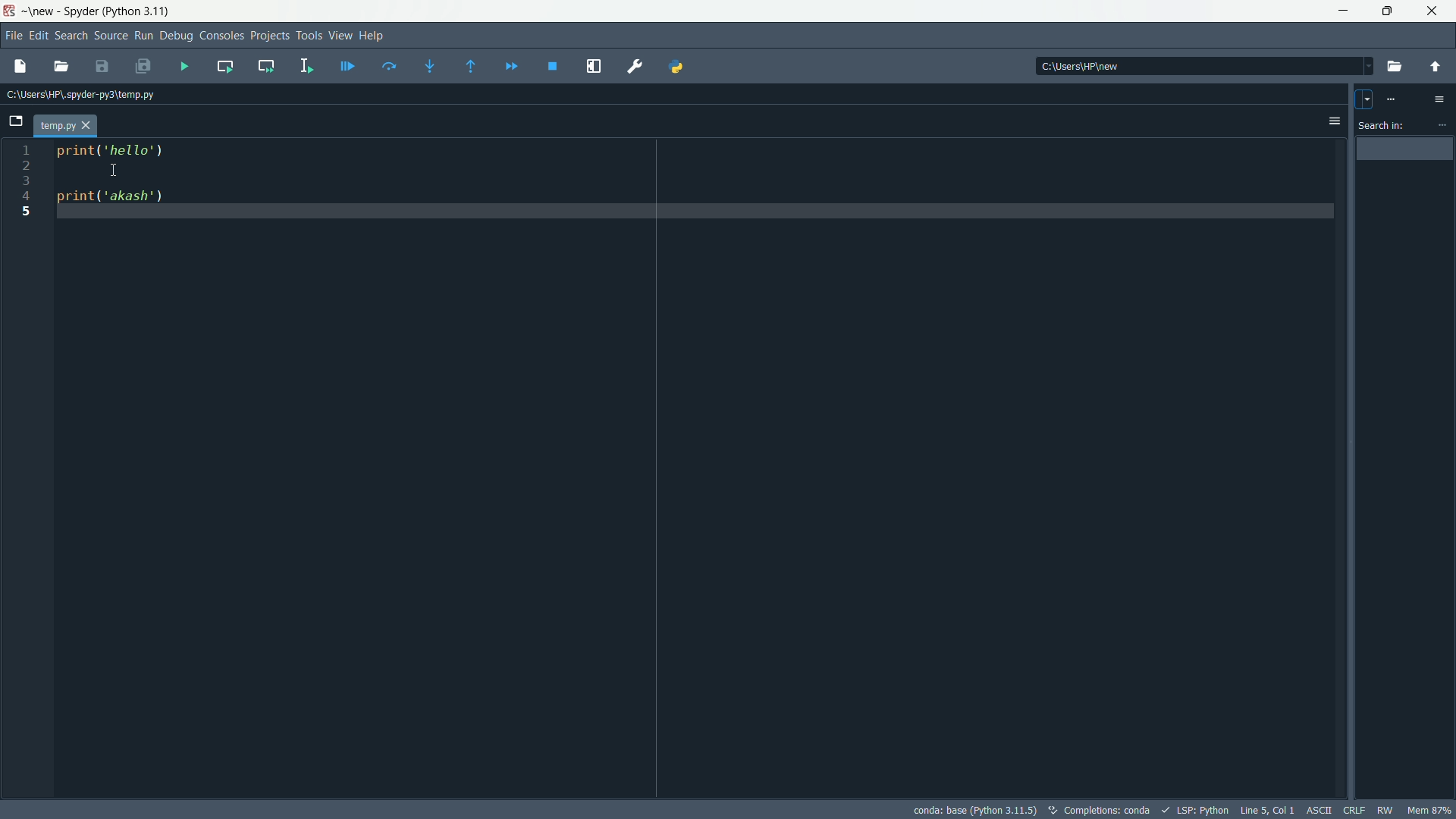  What do you see at coordinates (347, 67) in the screenshot?
I see `debug file` at bounding box center [347, 67].